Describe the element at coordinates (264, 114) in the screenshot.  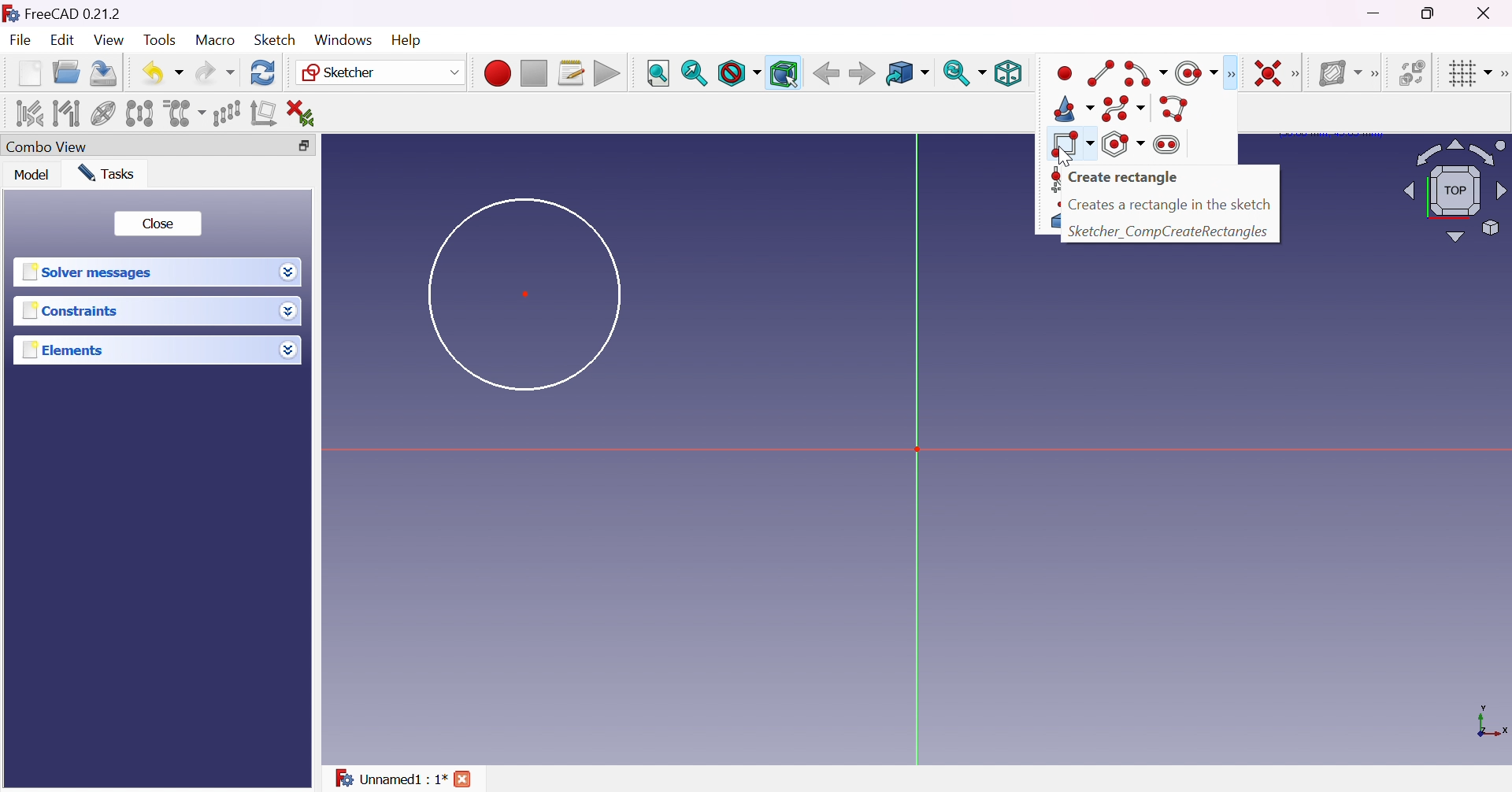
I see `Remove axes alignment` at that location.